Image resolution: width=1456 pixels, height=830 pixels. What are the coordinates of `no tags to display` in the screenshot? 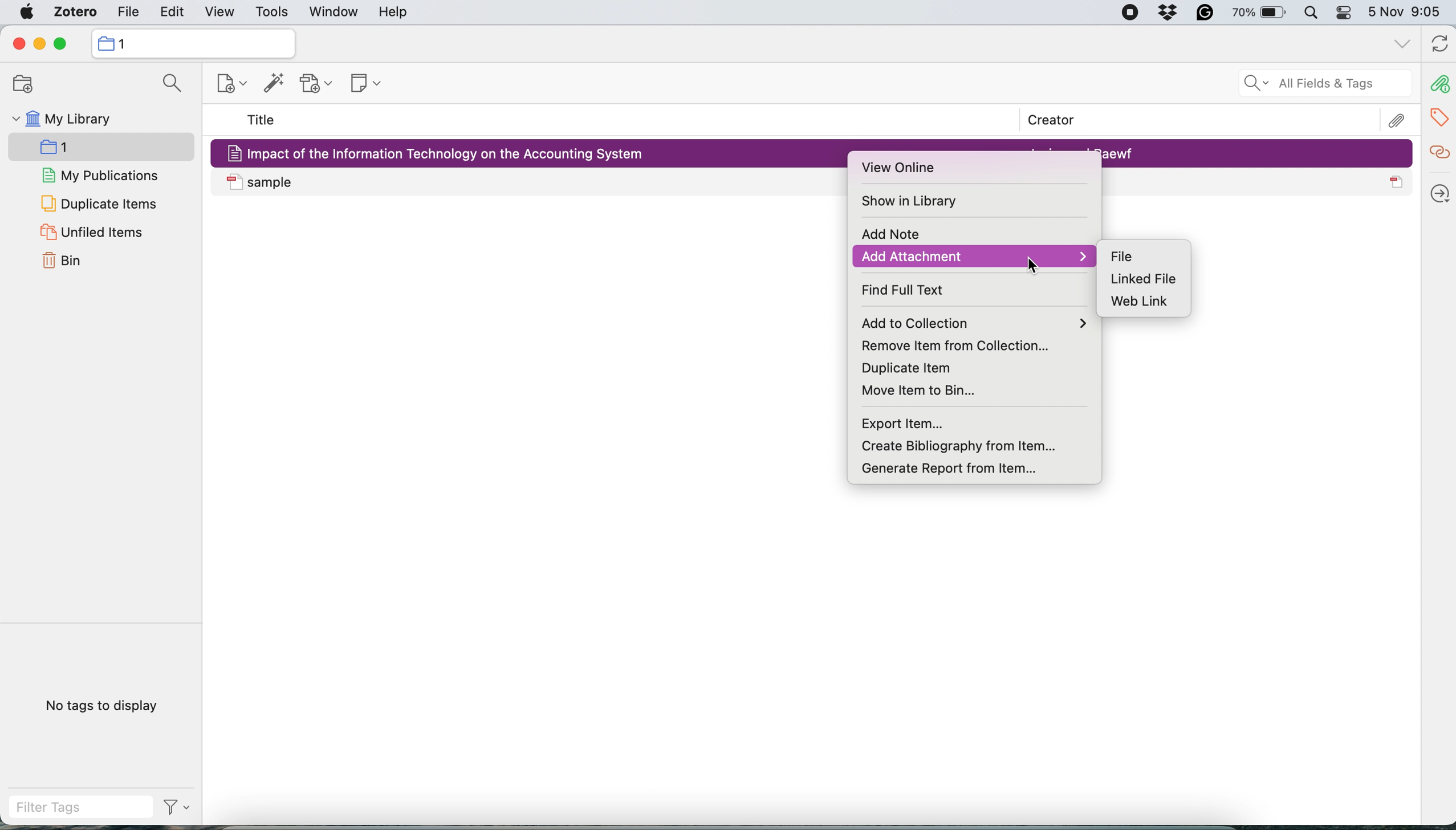 It's located at (104, 705).